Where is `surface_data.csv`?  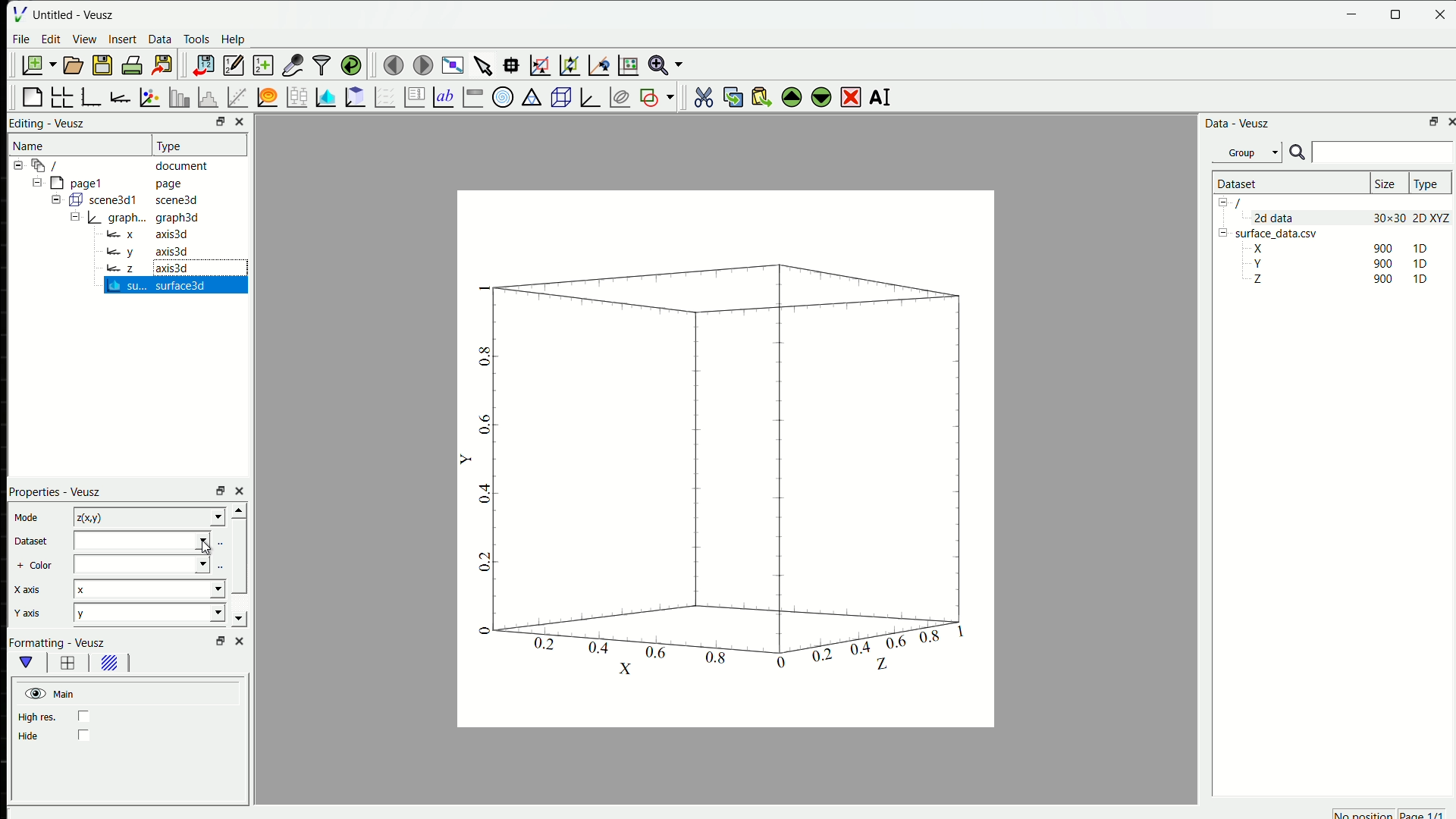
surface_data.csv is located at coordinates (1278, 234).